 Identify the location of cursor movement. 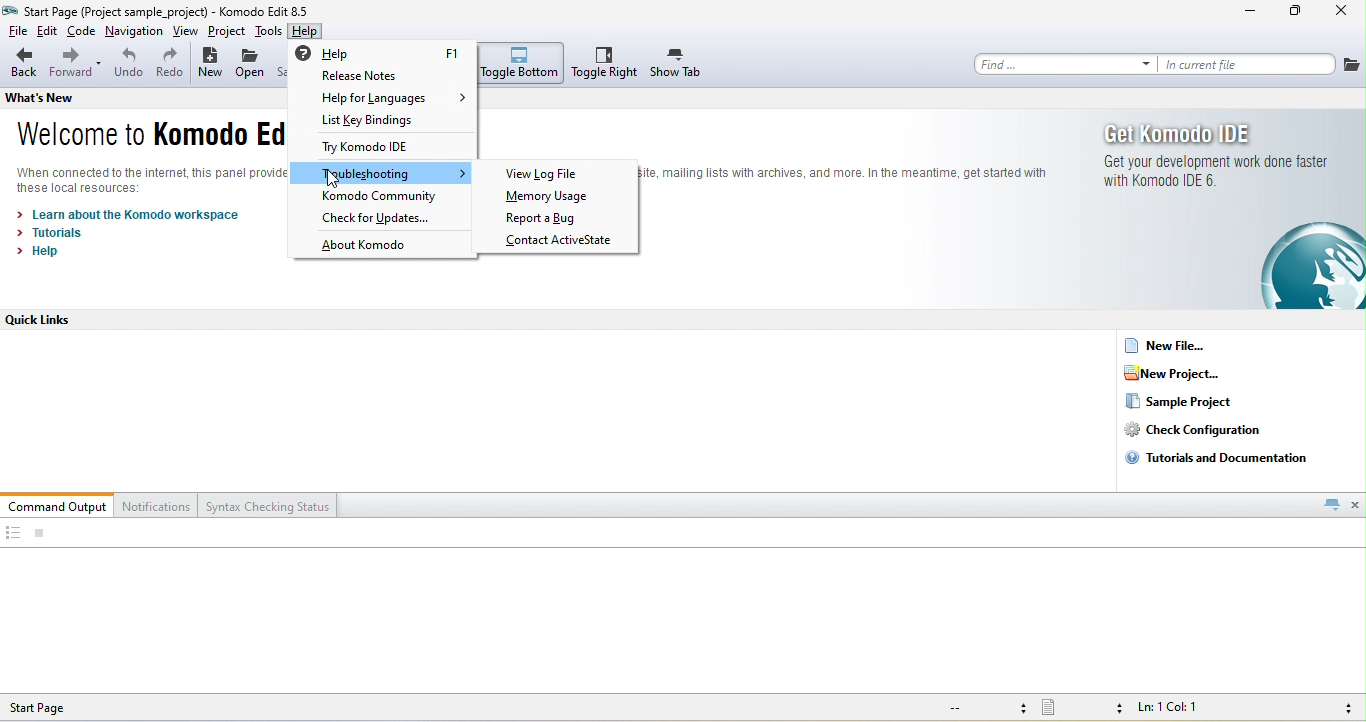
(334, 180).